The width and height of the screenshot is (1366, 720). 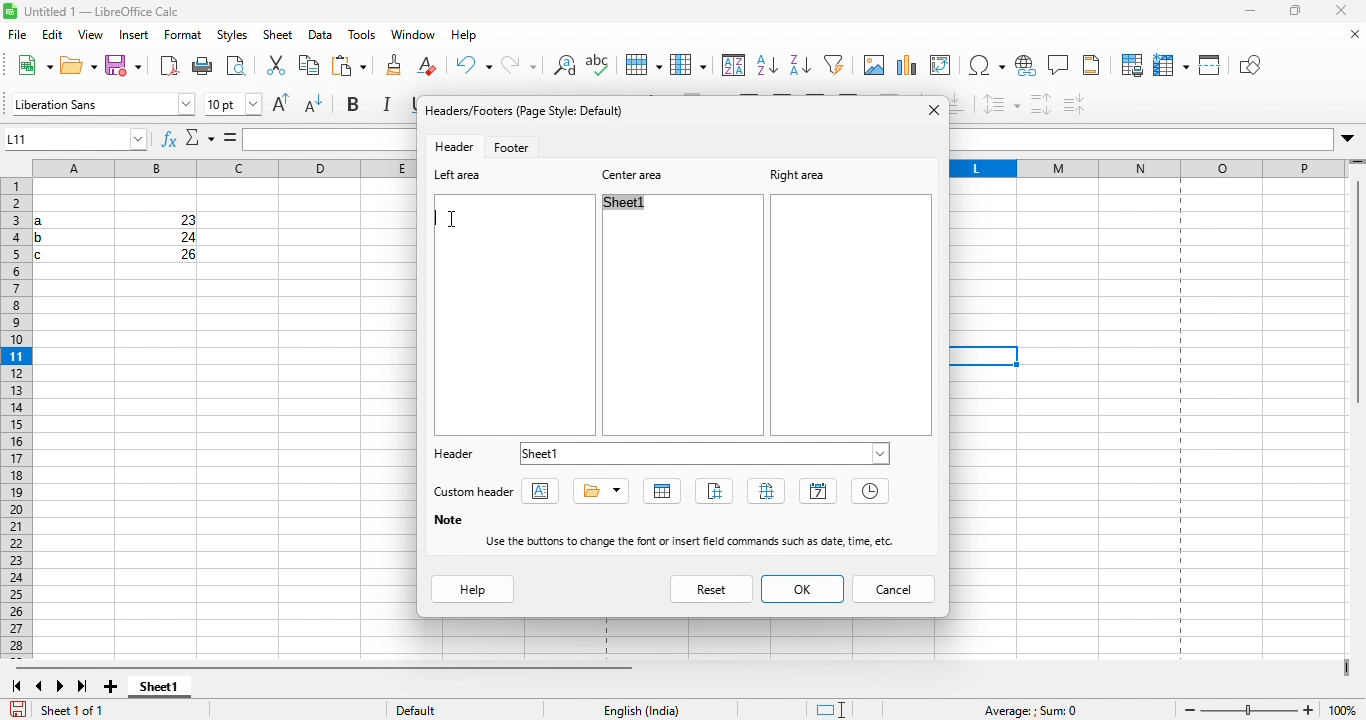 What do you see at coordinates (870, 67) in the screenshot?
I see `chat` at bounding box center [870, 67].